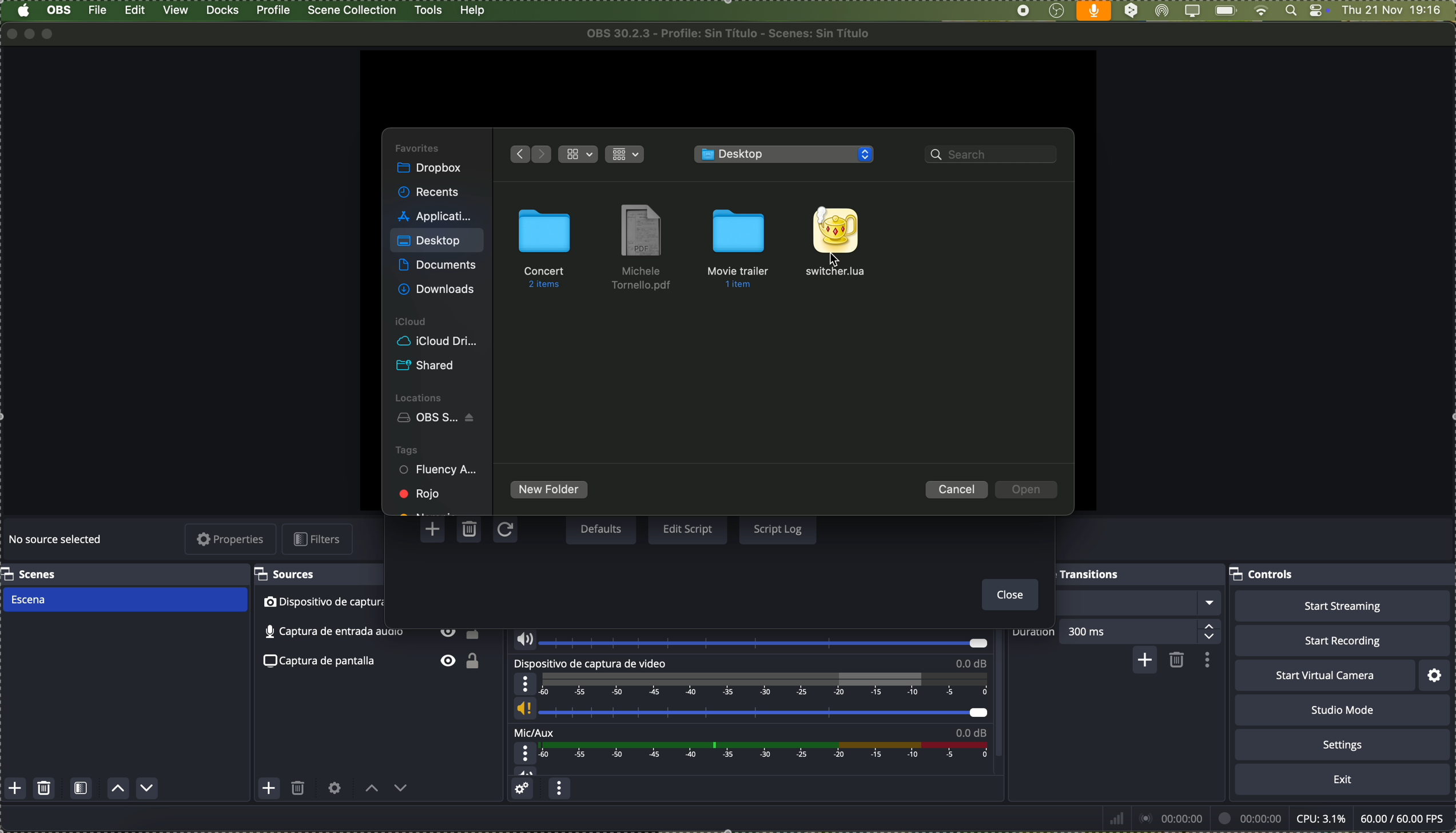 Image resolution: width=1456 pixels, height=833 pixels. I want to click on open scene filters, so click(81, 790).